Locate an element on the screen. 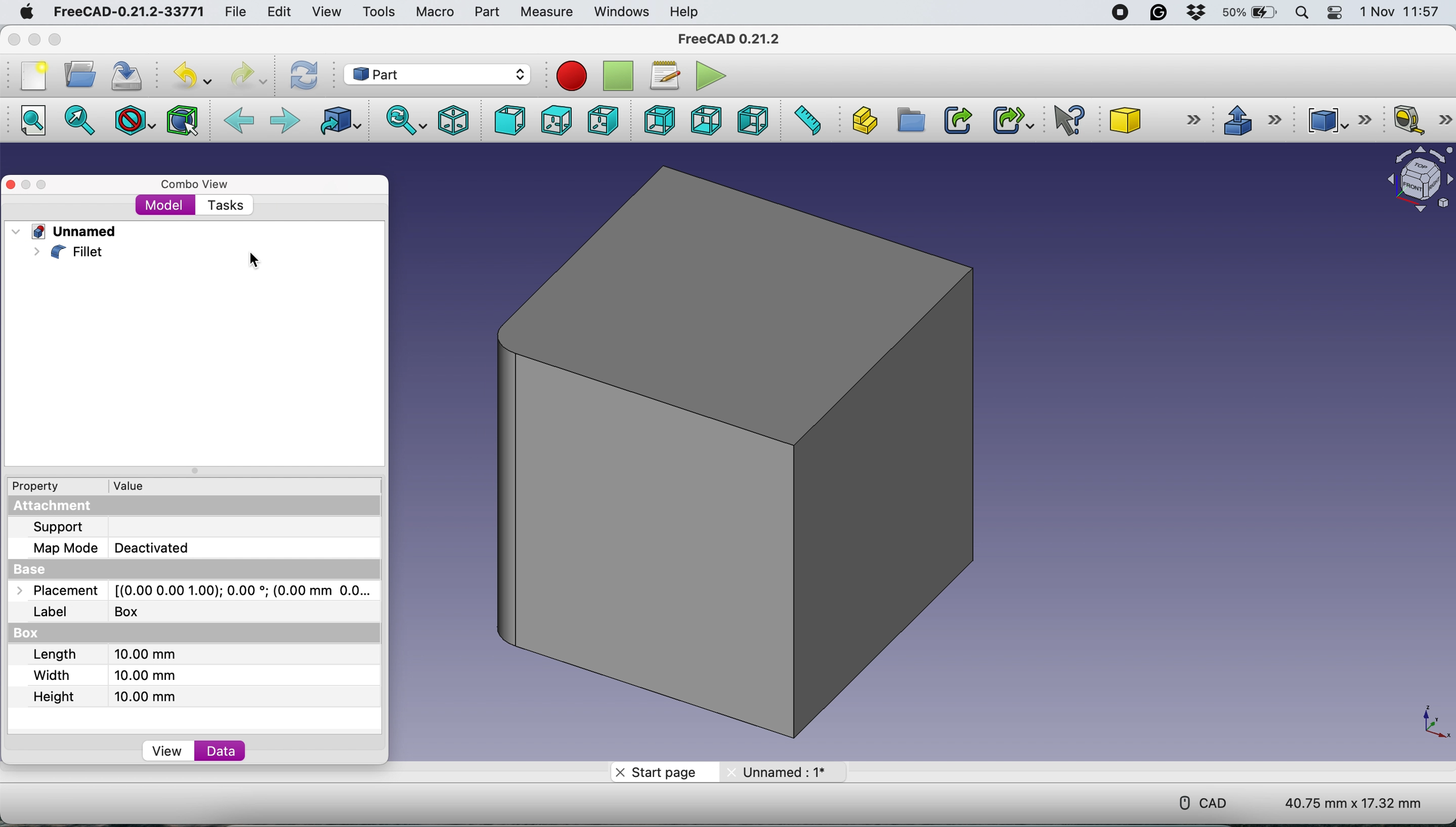 This screenshot has height=827, width=1456. record macros is located at coordinates (575, 76).